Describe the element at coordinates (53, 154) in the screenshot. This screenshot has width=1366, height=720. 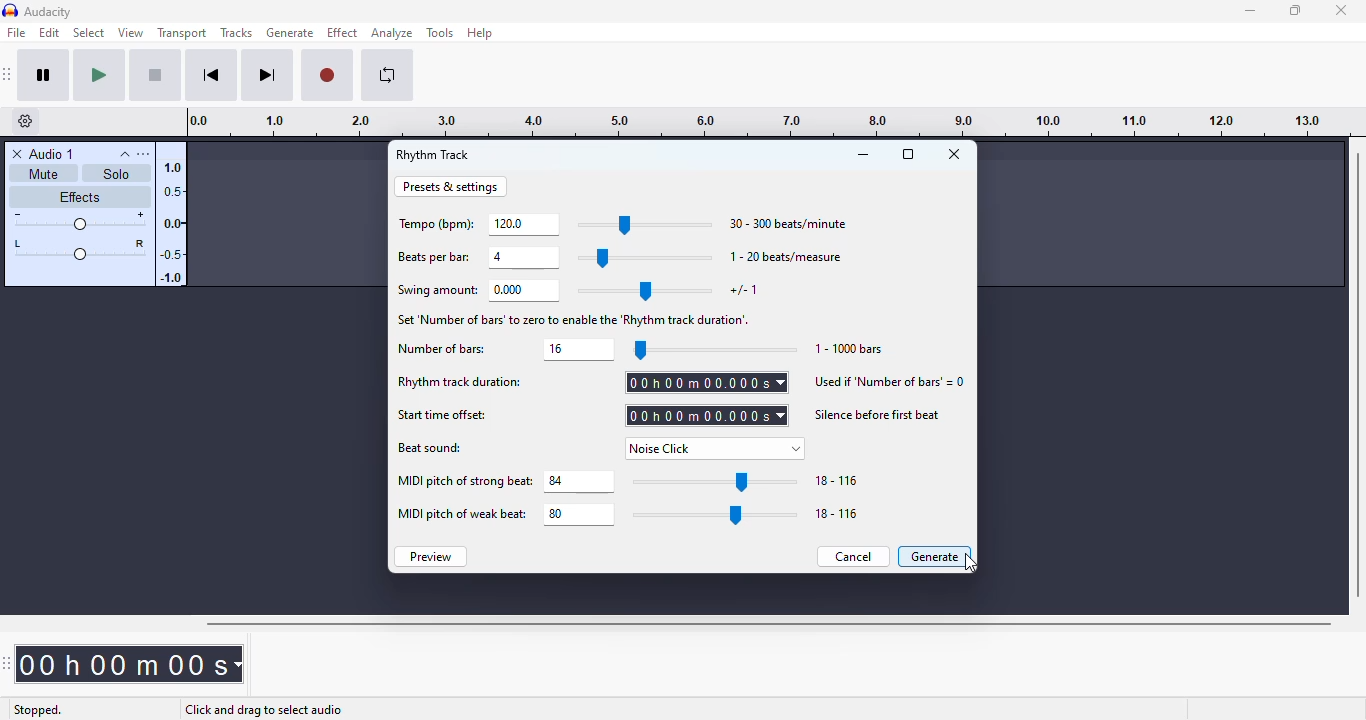
I see `audio 1` at that location.